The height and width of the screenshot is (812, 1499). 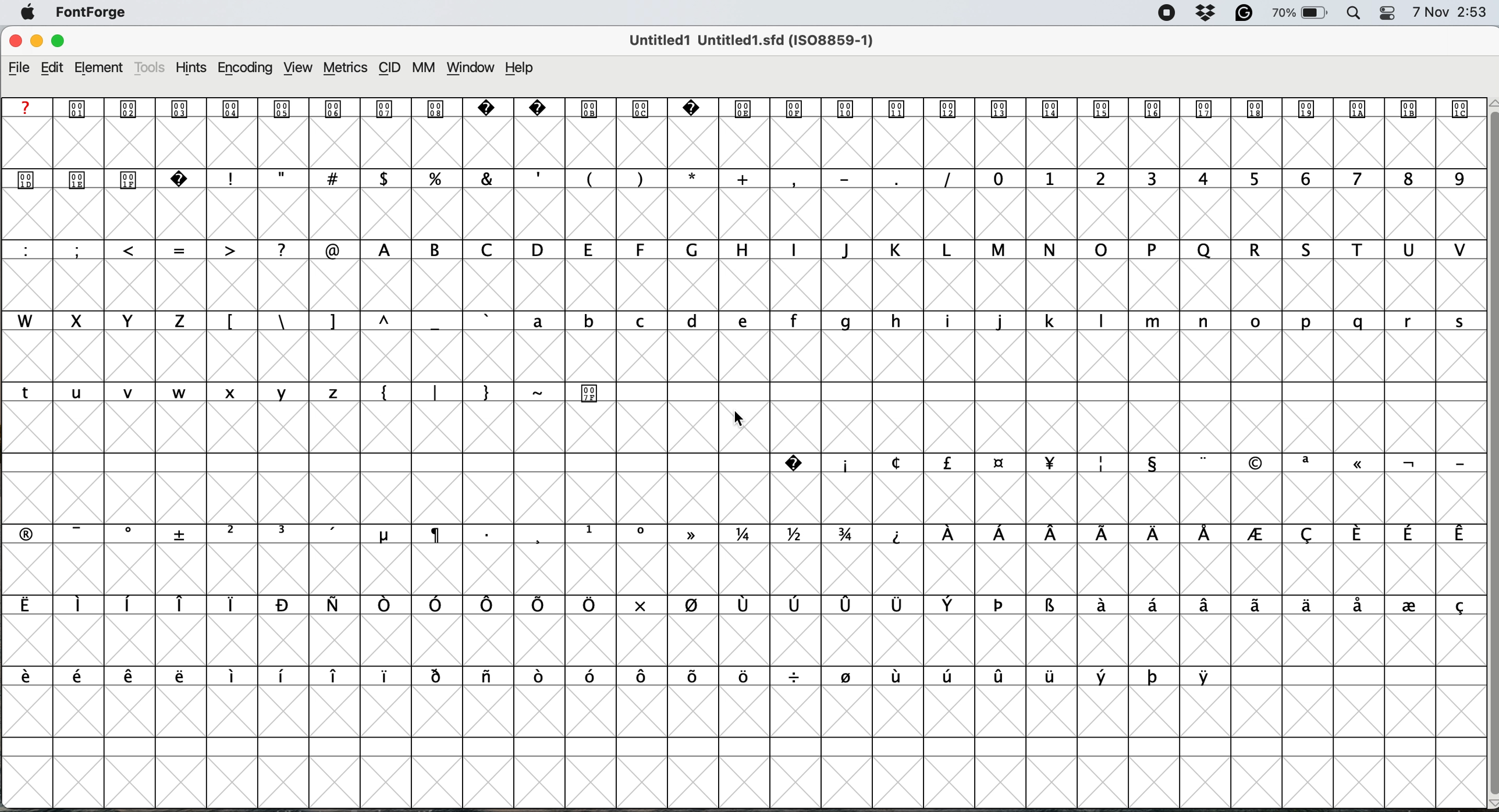 I want to click on view, so click(x=300, y=68).